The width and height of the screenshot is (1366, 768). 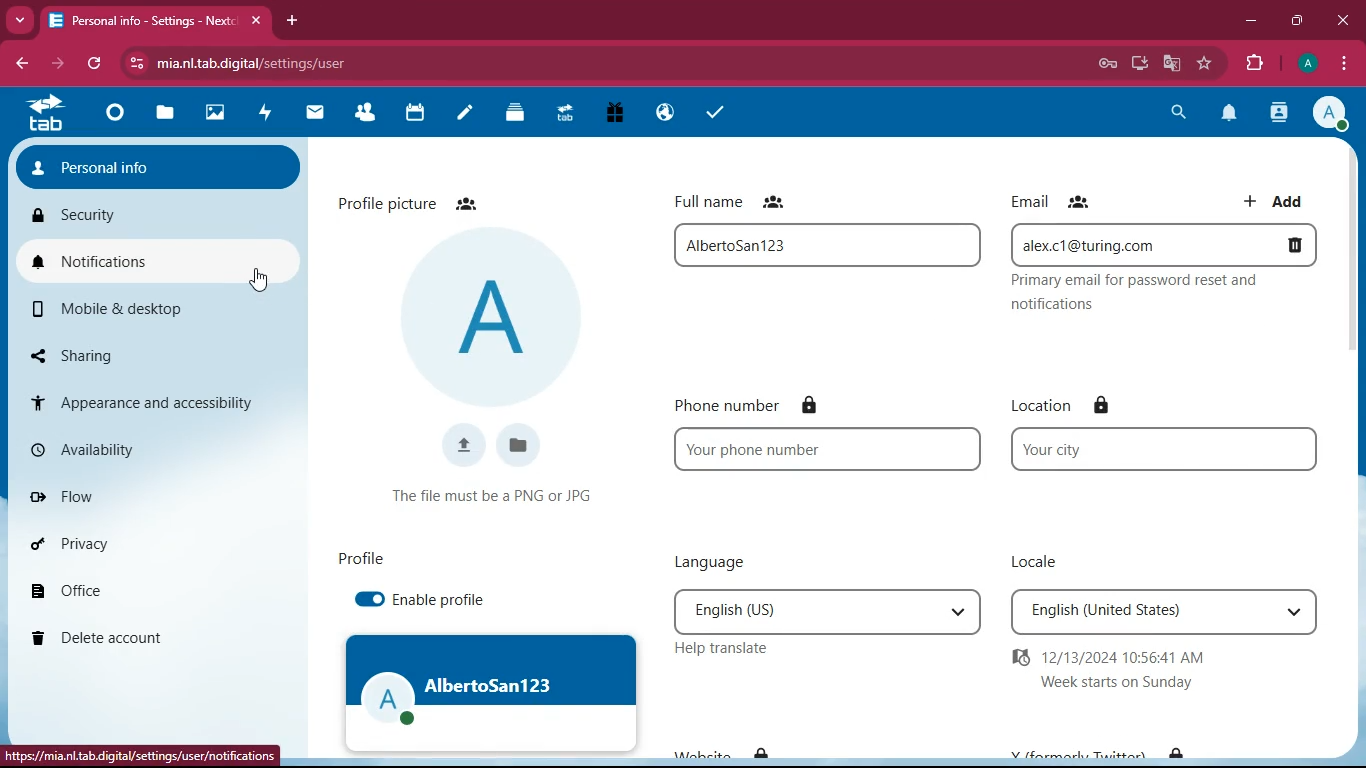 I want to click on favourite, so click(x=1206, y=63).